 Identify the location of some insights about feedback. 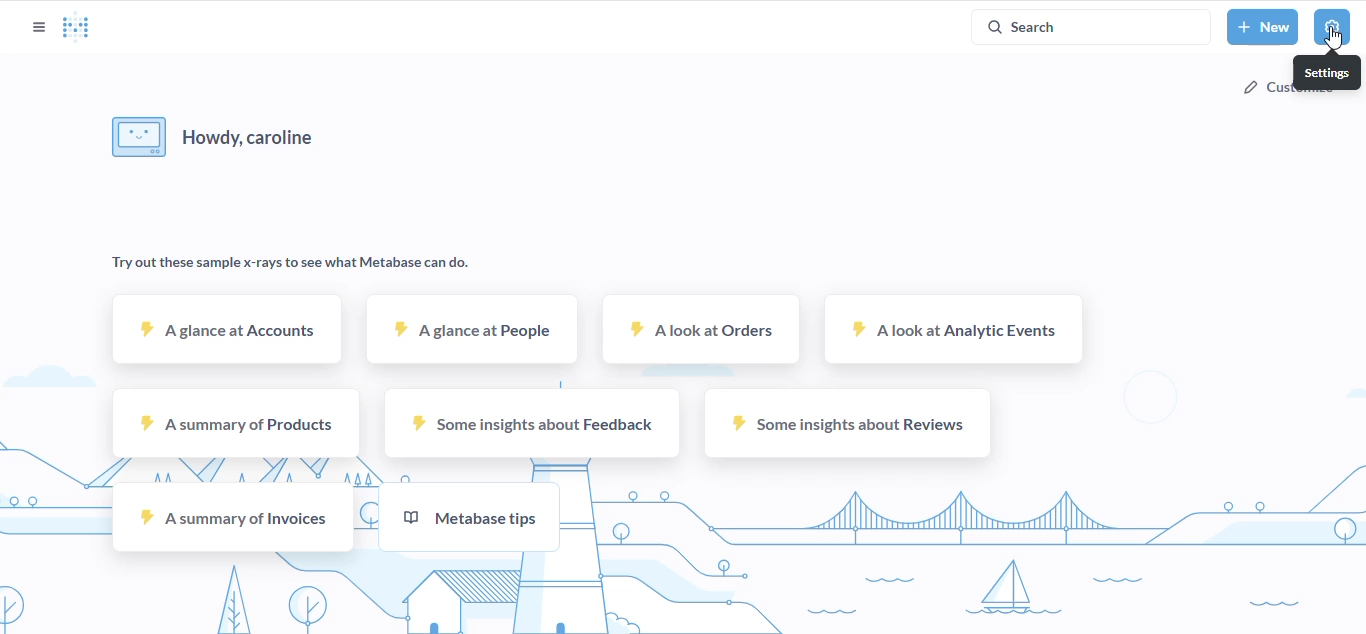
(530, 424).